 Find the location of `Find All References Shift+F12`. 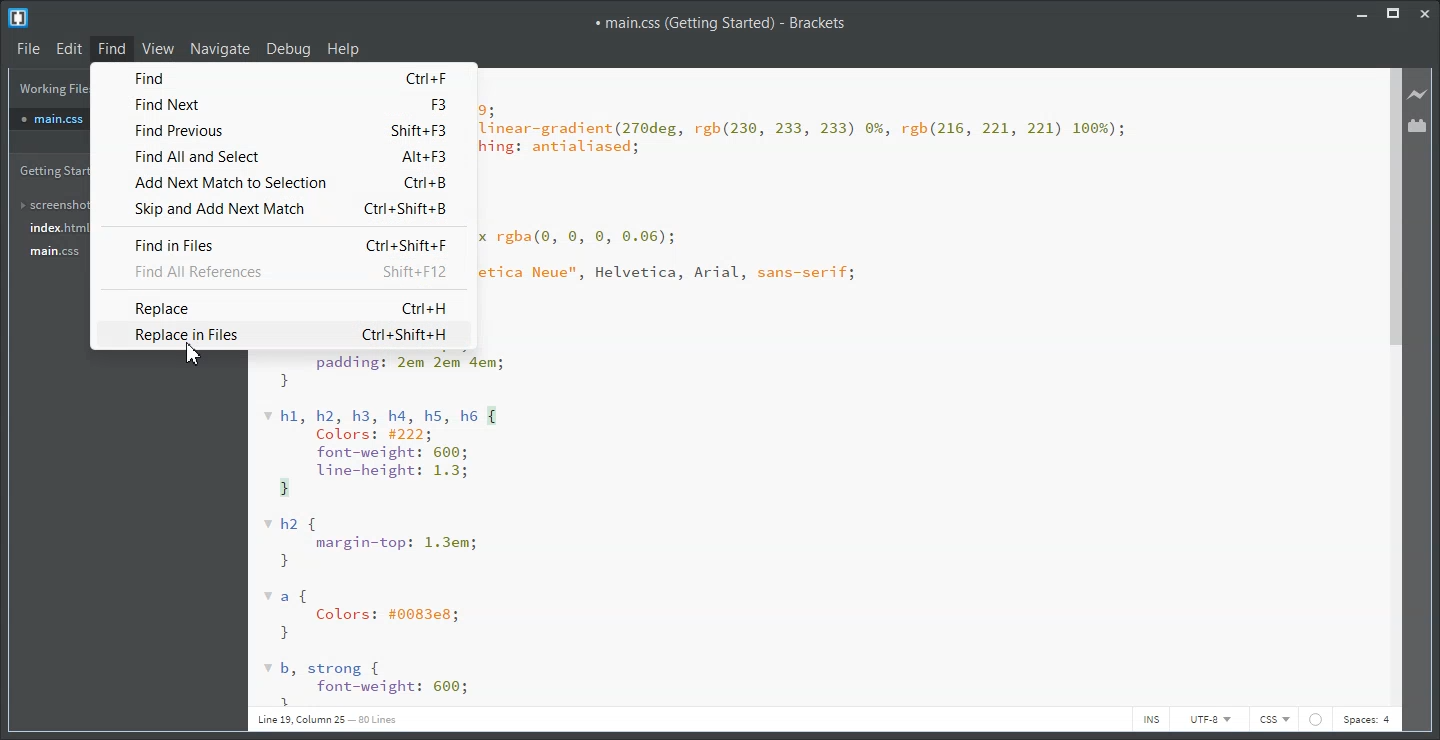

Find All References Shift+F12 is located at coordinates (292, 271).